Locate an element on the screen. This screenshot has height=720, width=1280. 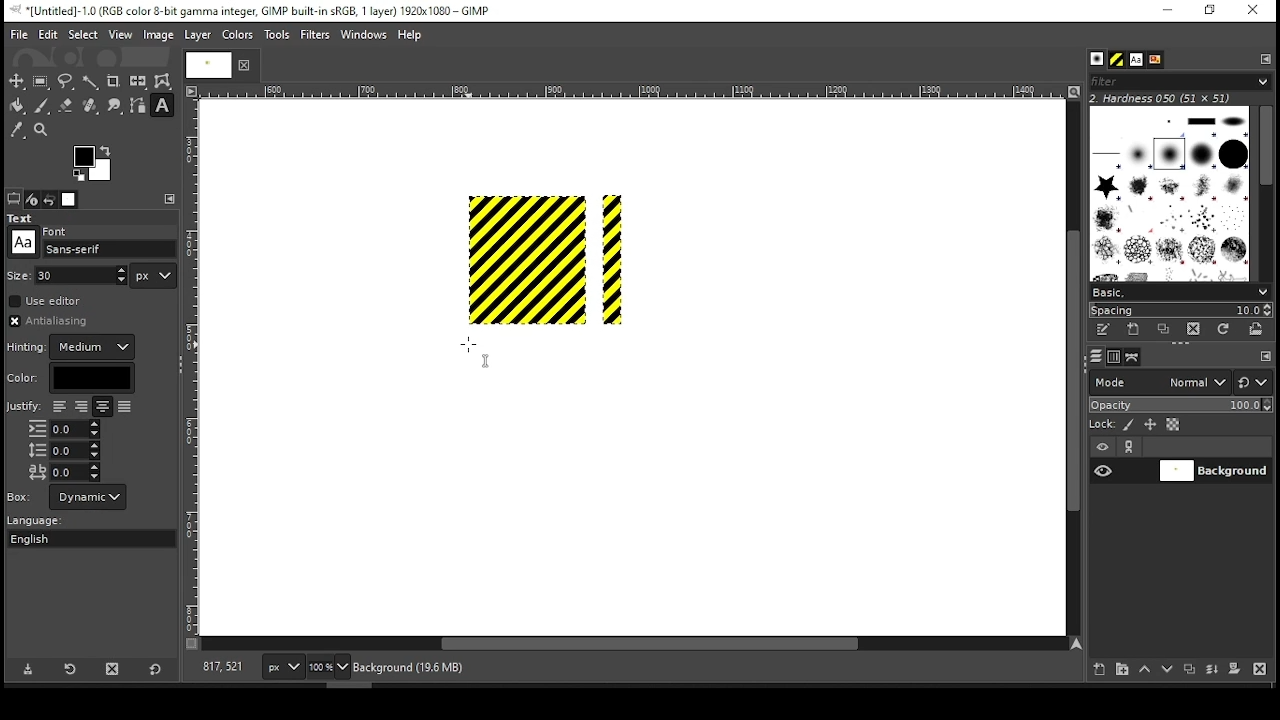
delete brush is located at coordinates (1196, 330).